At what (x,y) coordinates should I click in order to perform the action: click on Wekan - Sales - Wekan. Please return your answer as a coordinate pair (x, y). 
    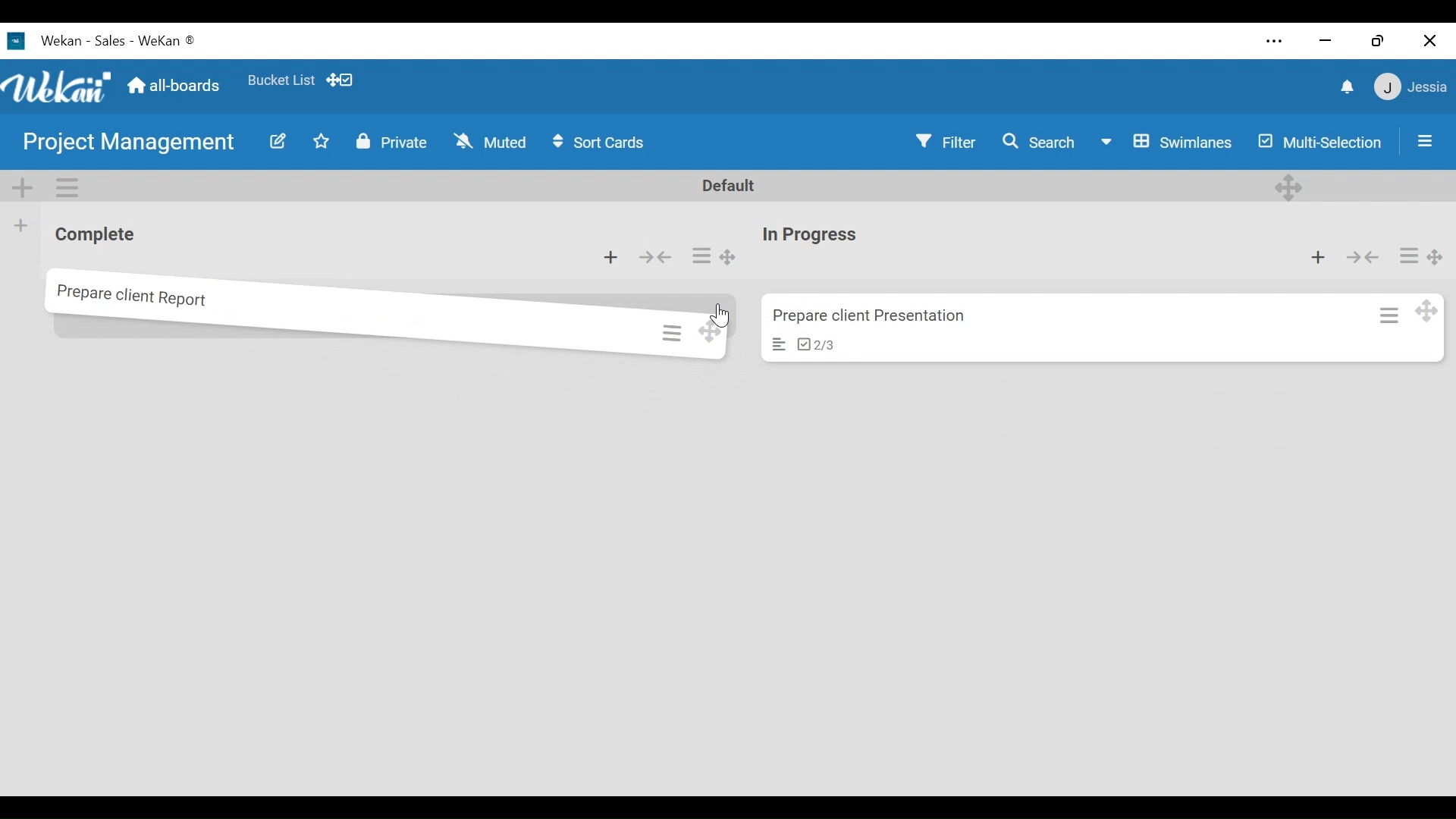
    Looking at the image, I should click on (121, 40).